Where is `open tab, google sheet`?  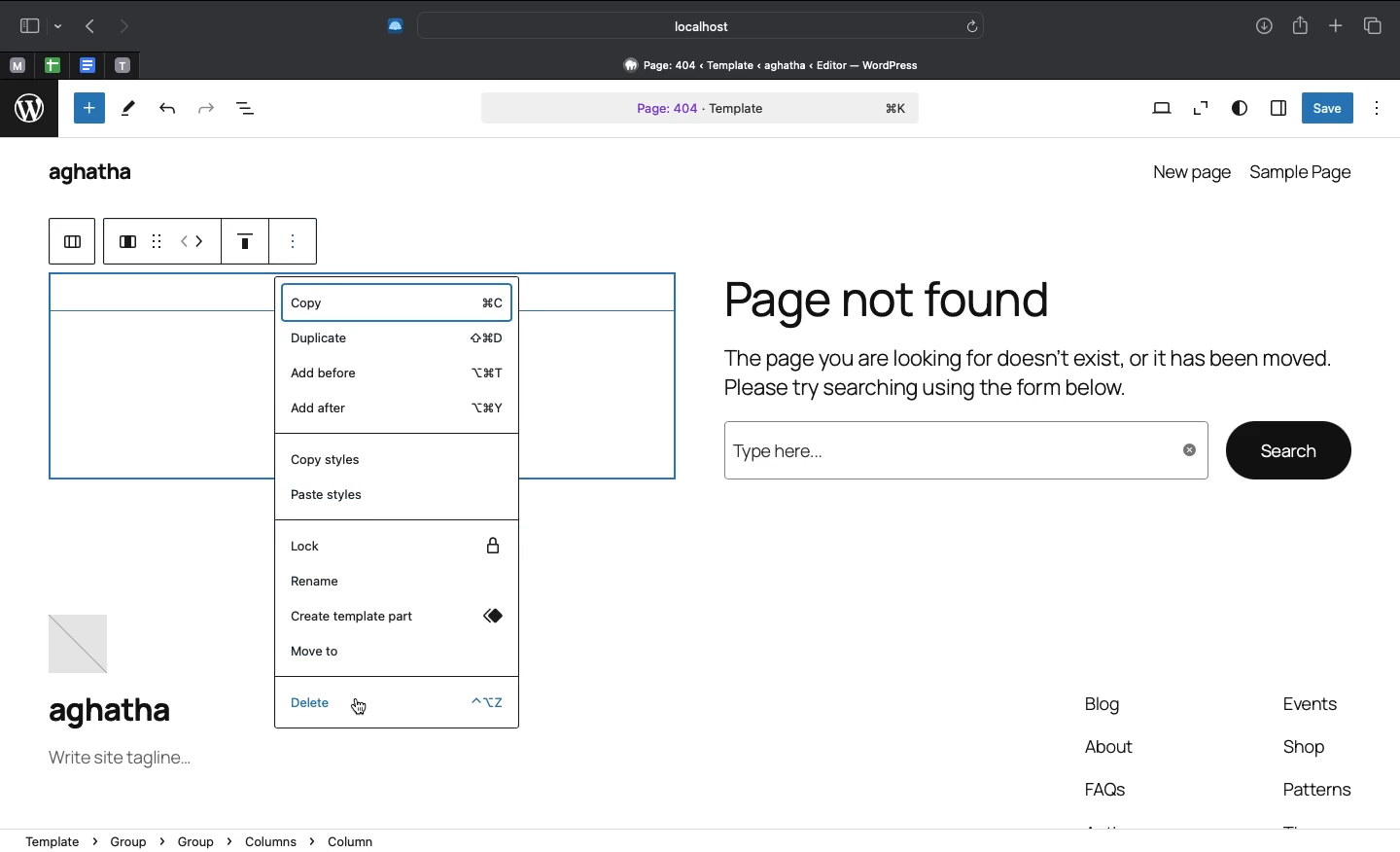
open tab, google sheet is located at coordinates (51, 65).